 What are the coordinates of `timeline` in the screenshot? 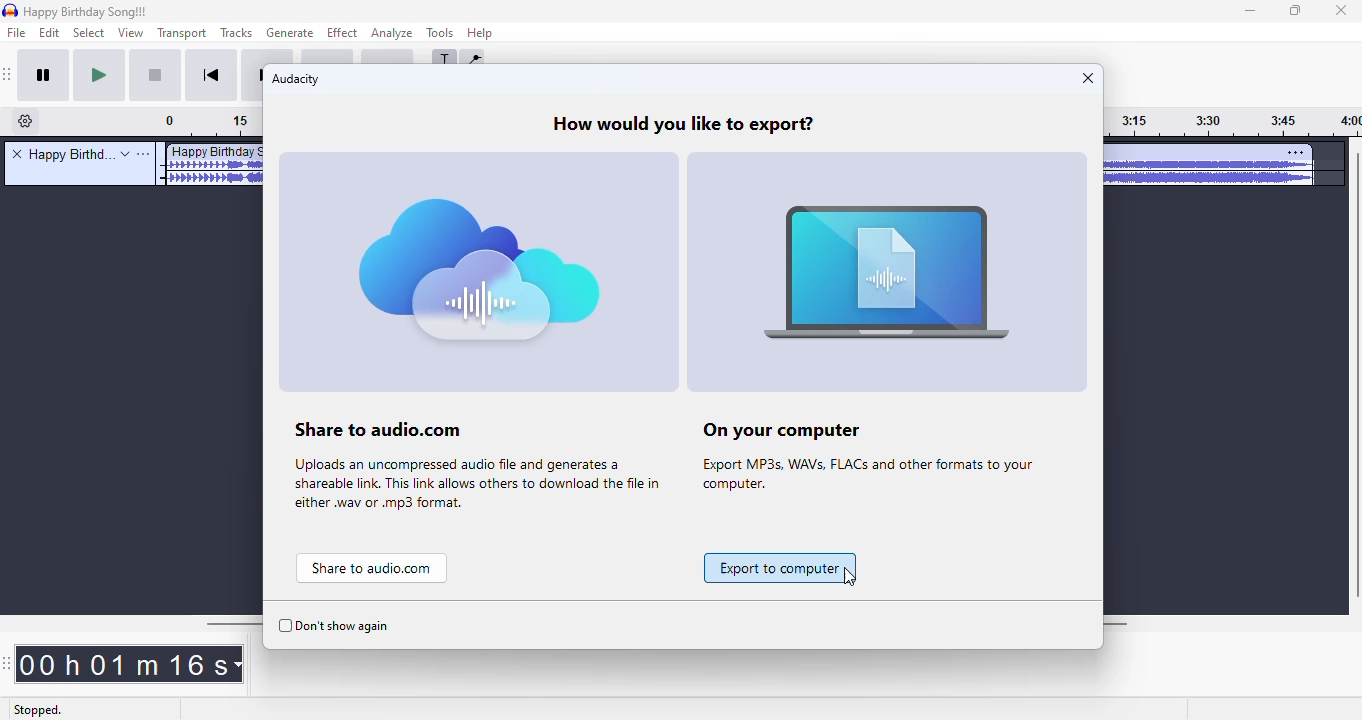 It's located at (1233, 123).